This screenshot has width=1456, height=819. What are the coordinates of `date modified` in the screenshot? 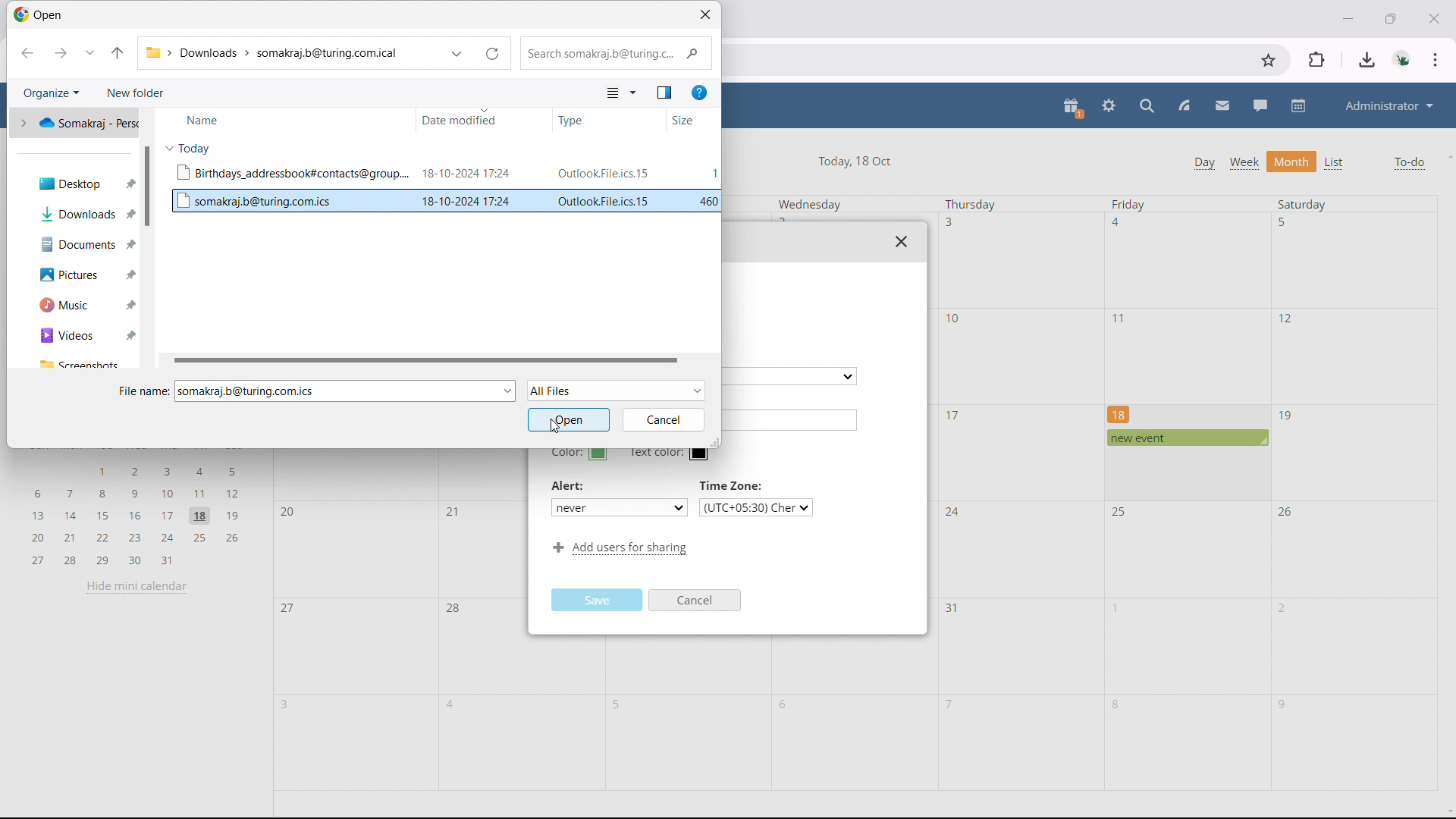 It's located at (483, 120).